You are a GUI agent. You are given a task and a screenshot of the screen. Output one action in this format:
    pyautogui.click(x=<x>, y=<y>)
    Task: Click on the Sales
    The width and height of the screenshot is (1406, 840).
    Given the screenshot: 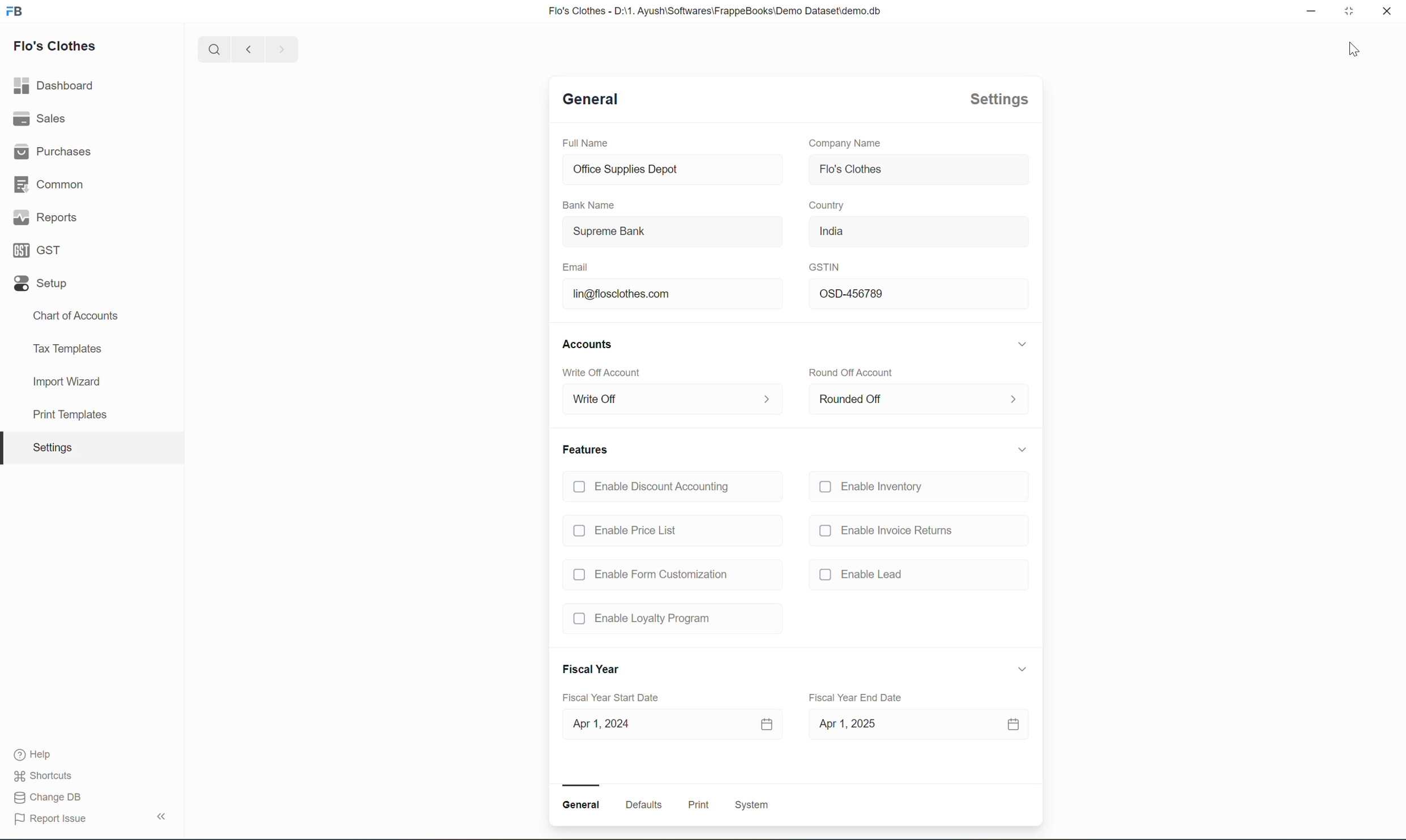 What is the action you would take?
    pyautogui.click(x=43, y=119)
    